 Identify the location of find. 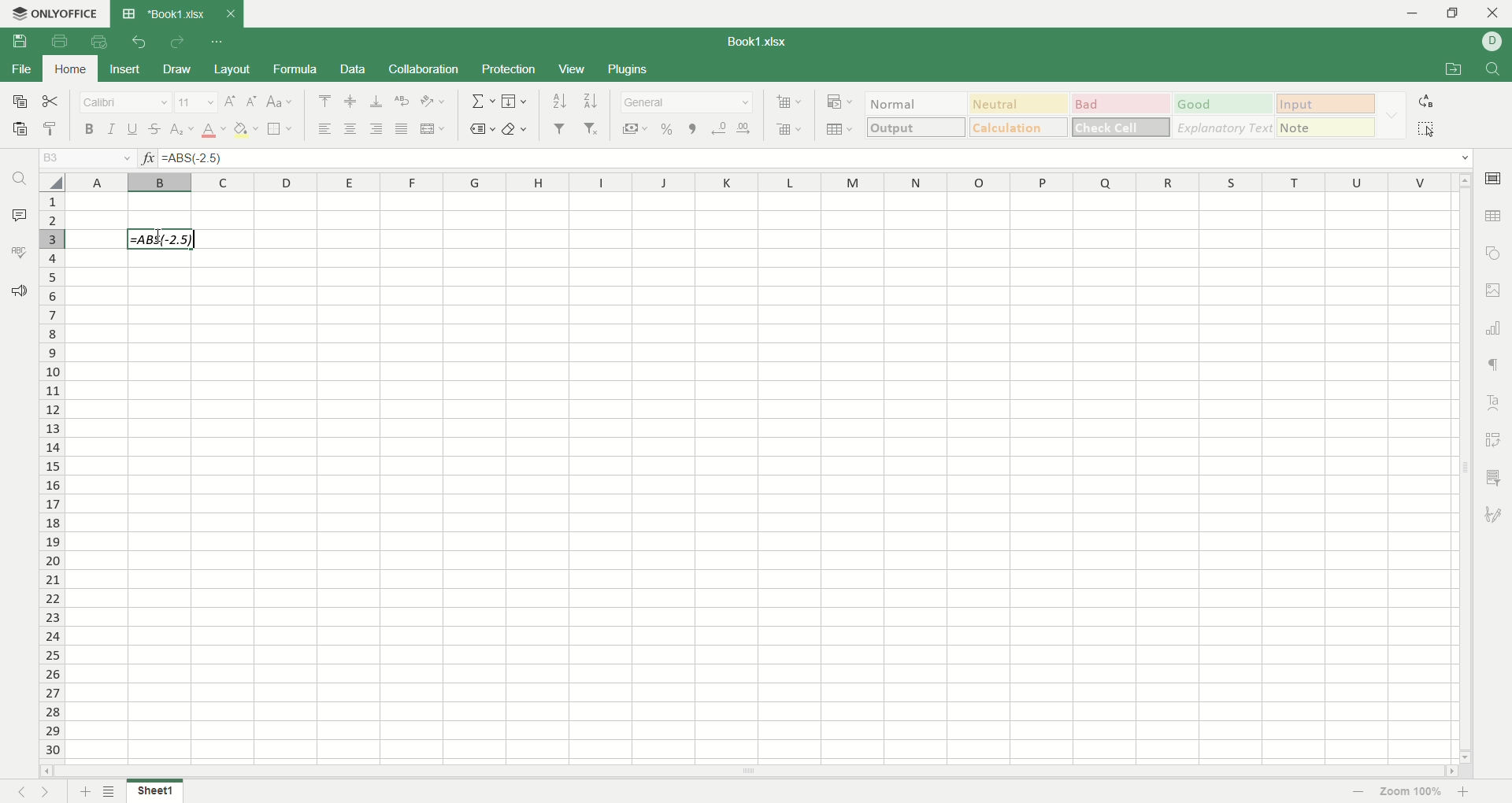
(18, 178).